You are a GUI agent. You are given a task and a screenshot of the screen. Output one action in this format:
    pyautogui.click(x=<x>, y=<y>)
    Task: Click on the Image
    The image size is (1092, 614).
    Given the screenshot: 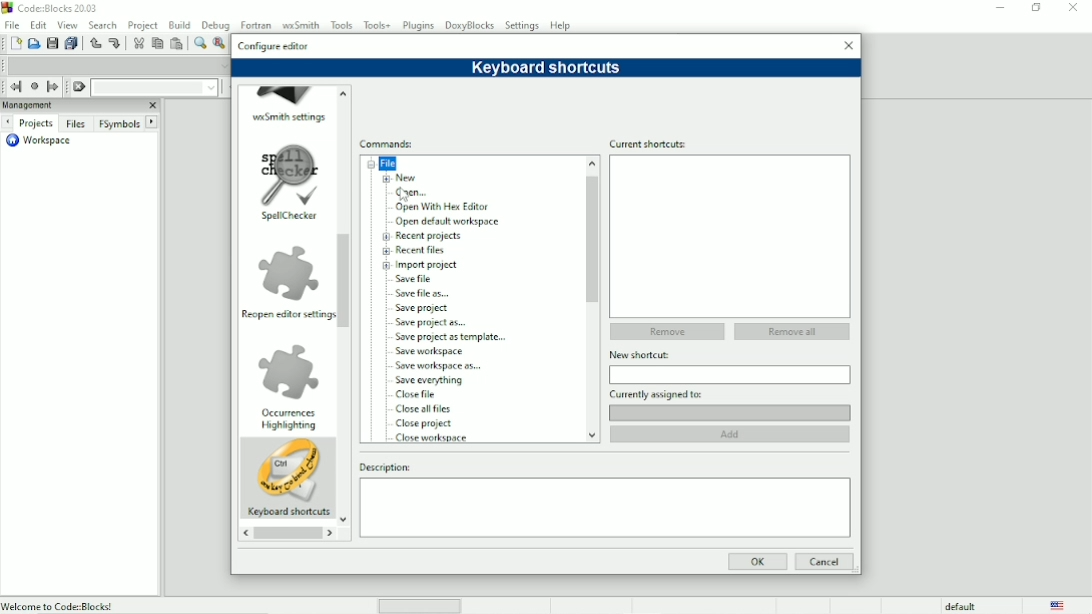 What is the action you would take?
    pyautogui.click(x=291, y=369)
    